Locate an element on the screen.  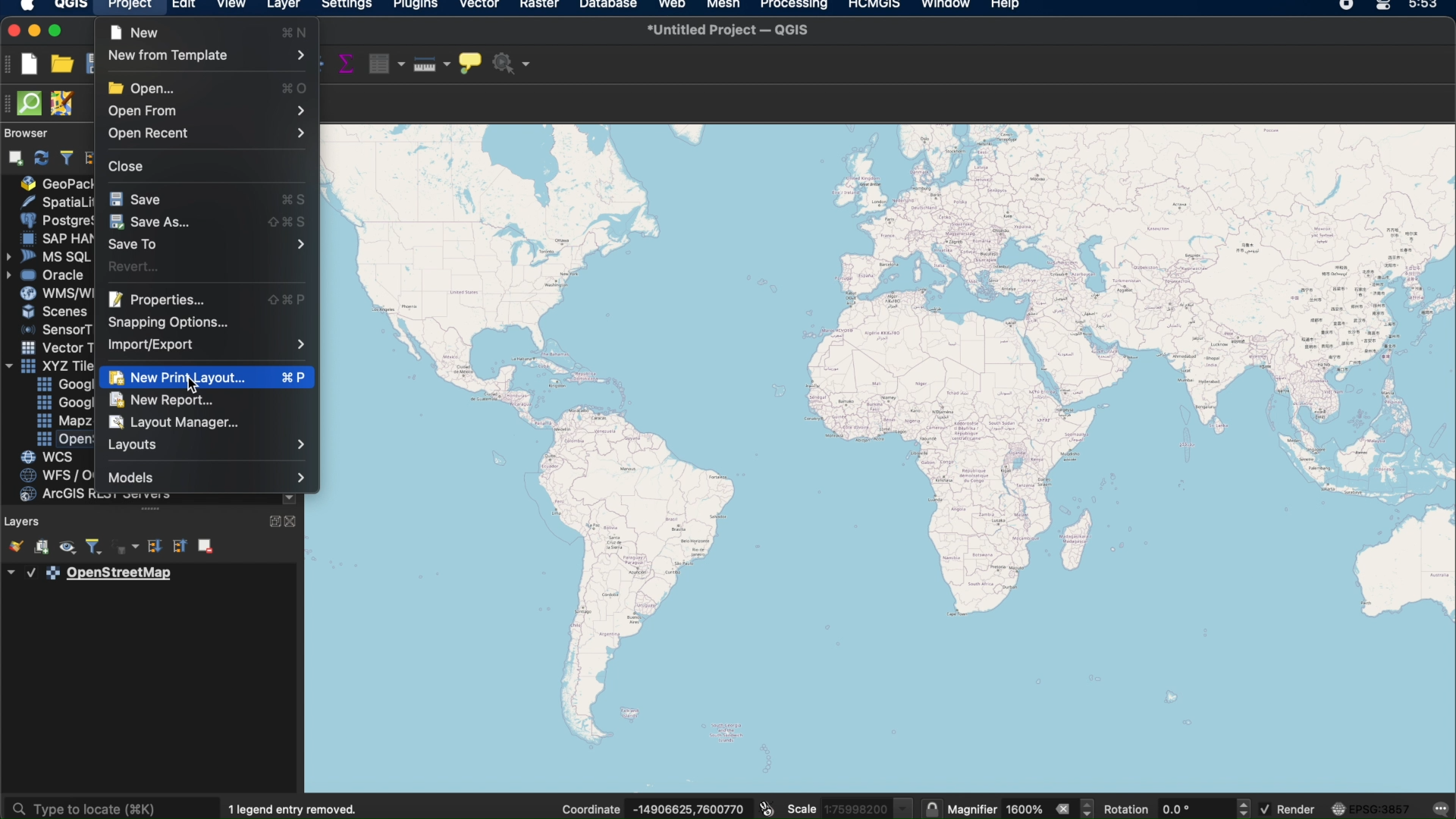
Open is located at coordinates (209, 86).